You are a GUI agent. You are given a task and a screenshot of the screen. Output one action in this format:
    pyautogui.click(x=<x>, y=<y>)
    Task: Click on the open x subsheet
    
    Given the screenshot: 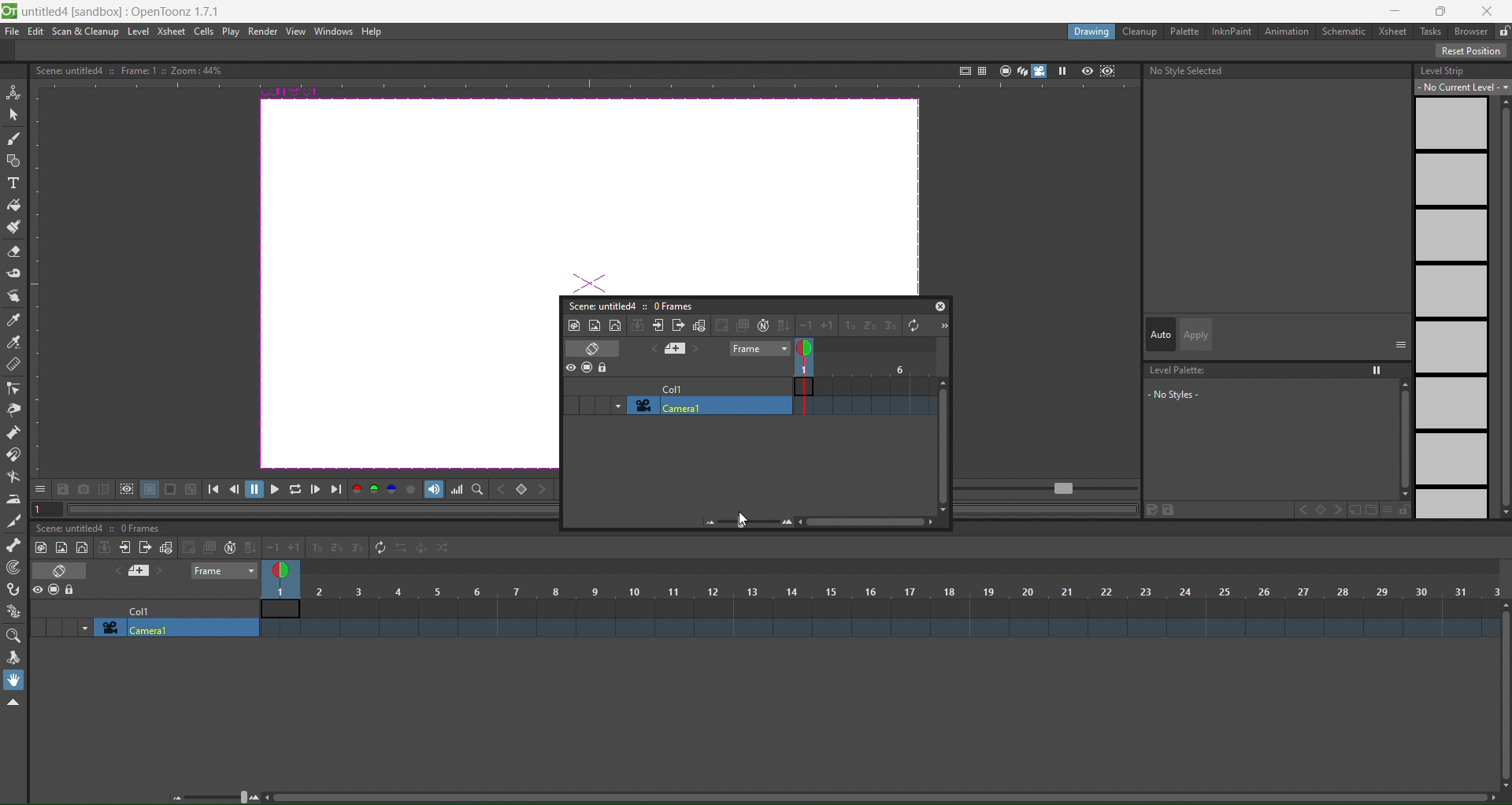 What is the action you would take?
    pyautogui.click(x=658, y=325)
    